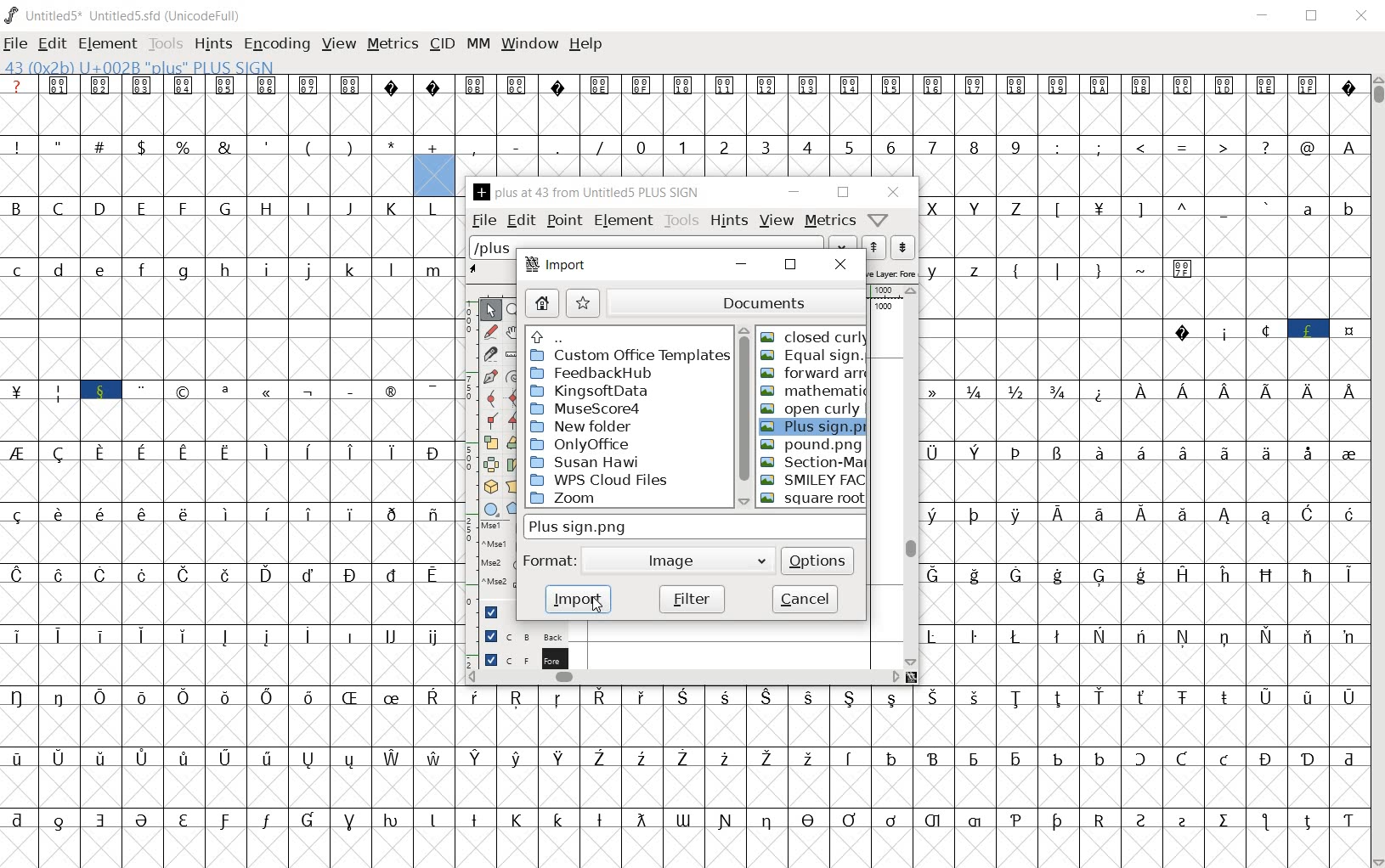 The image size is (1385, 868). What do you see at coordinates (337, 42) in the screenshot?
I see `view` at bounding box center [337, 42].